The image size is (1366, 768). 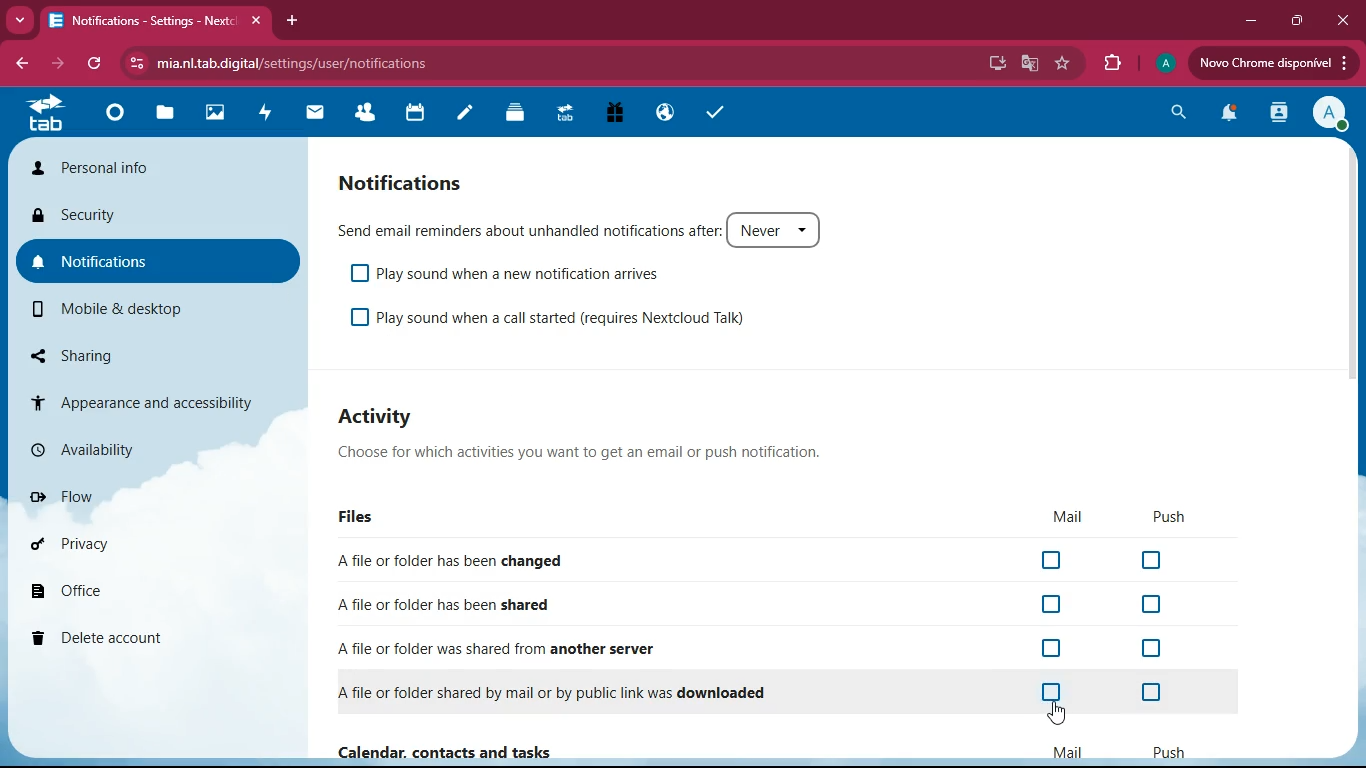 I want to click on notifications, so click(x=409, y=180).